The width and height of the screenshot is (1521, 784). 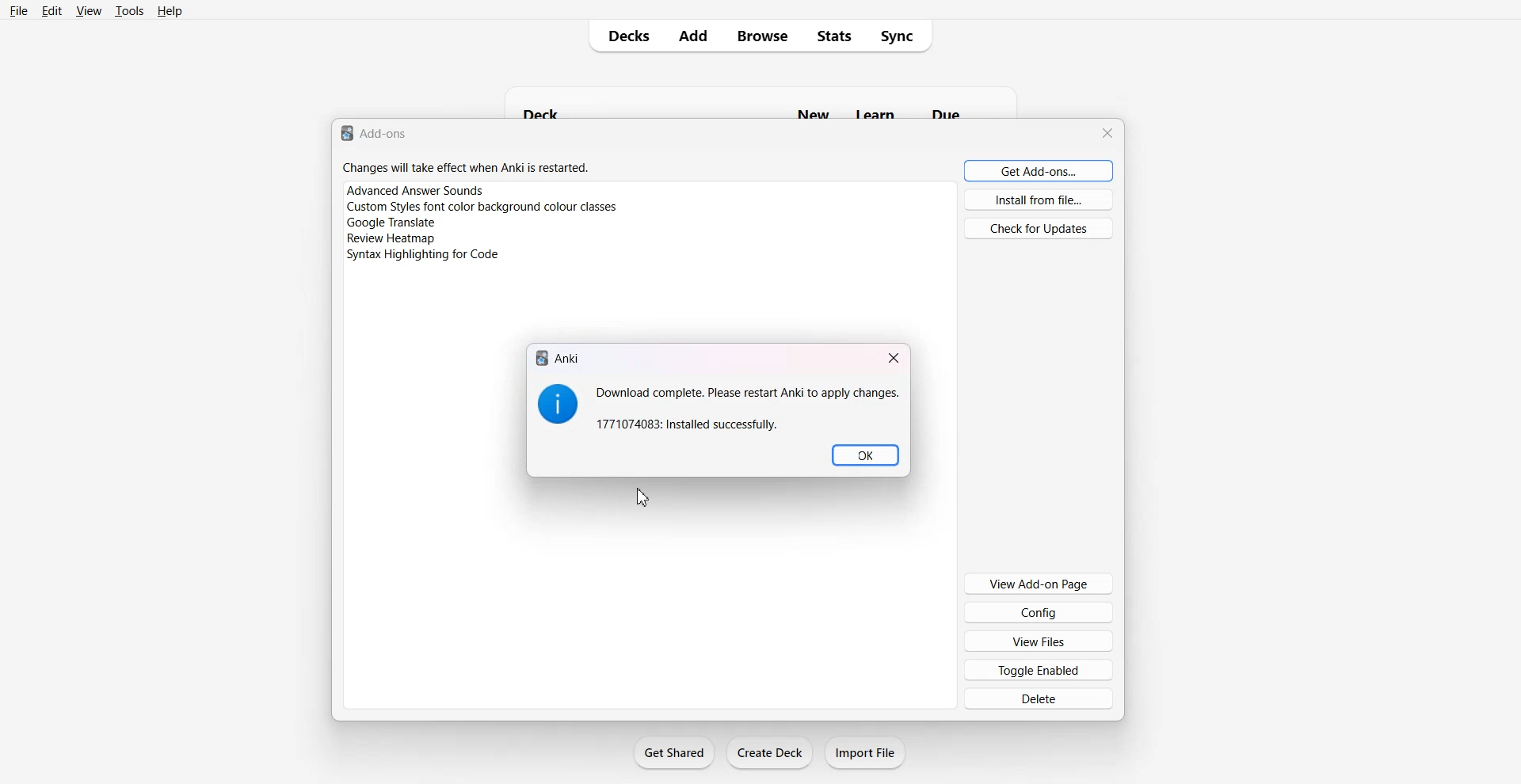 I want to click on Help, so click(x=170, y=11).